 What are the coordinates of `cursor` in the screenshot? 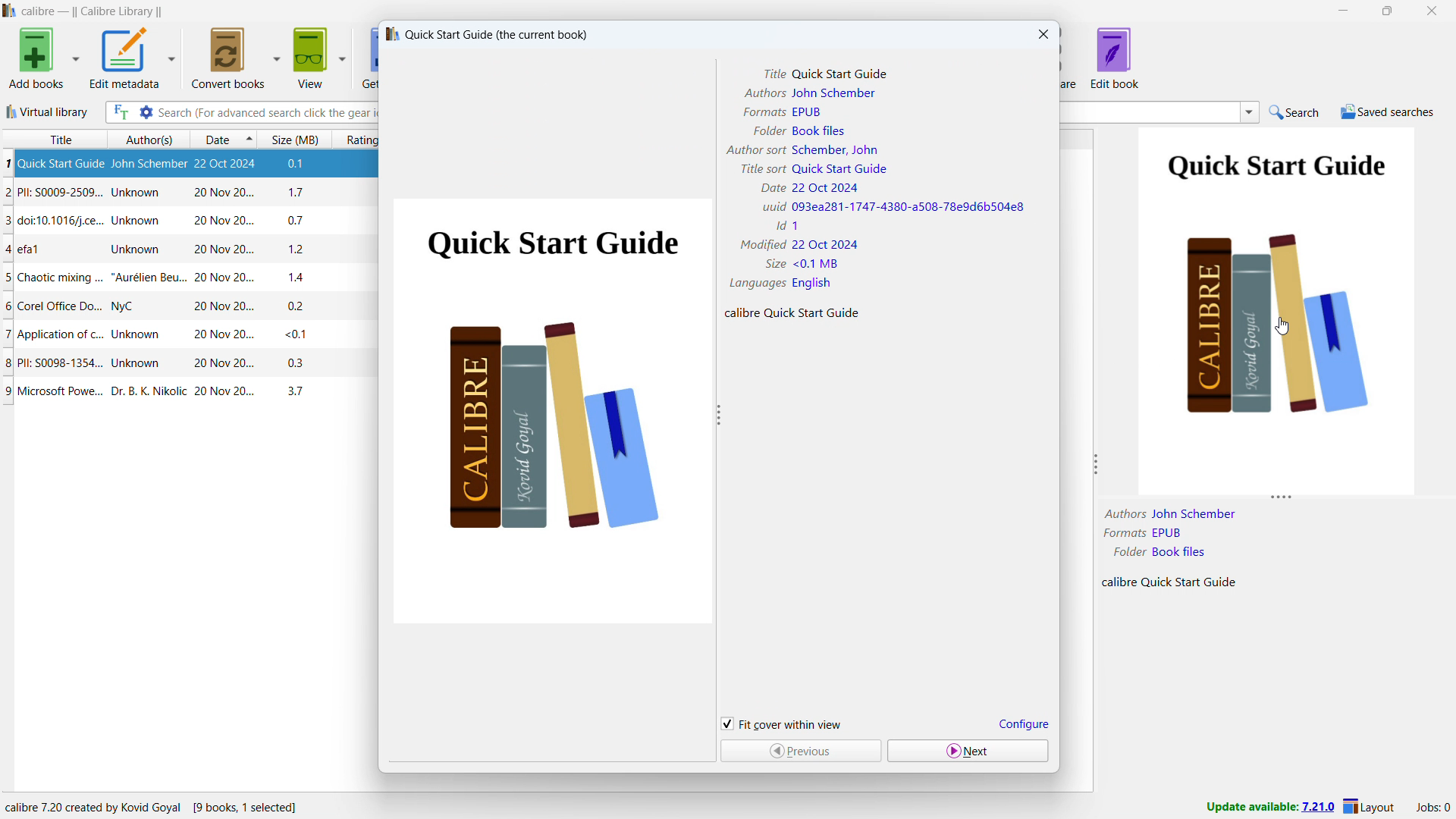 It's located at (1283, 327).